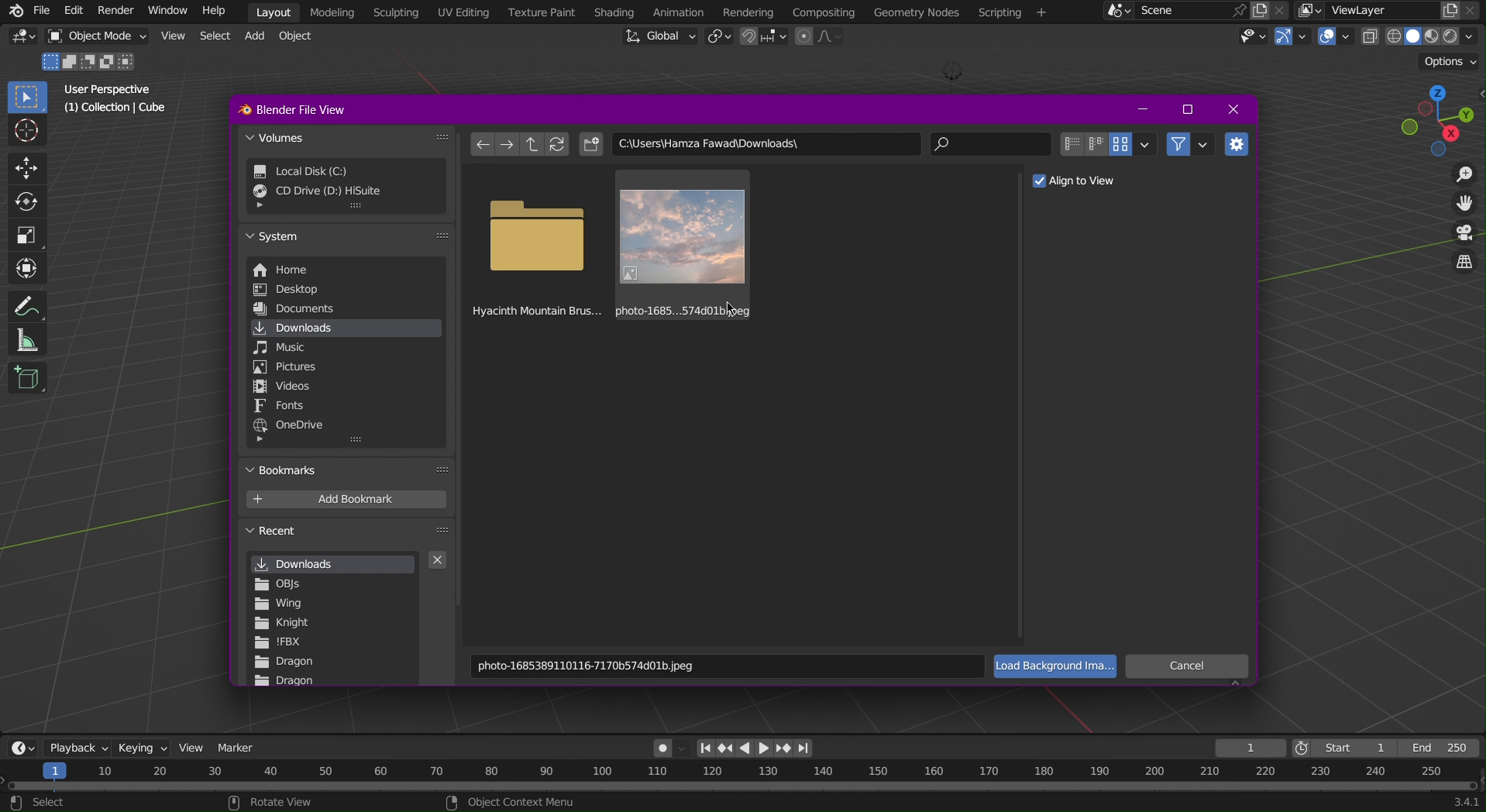 The height and width of the screenshot is (812, 1486). Describe the element at coordinates (348, 500) in the screenshot. I see `Add Bookmark` at that location.